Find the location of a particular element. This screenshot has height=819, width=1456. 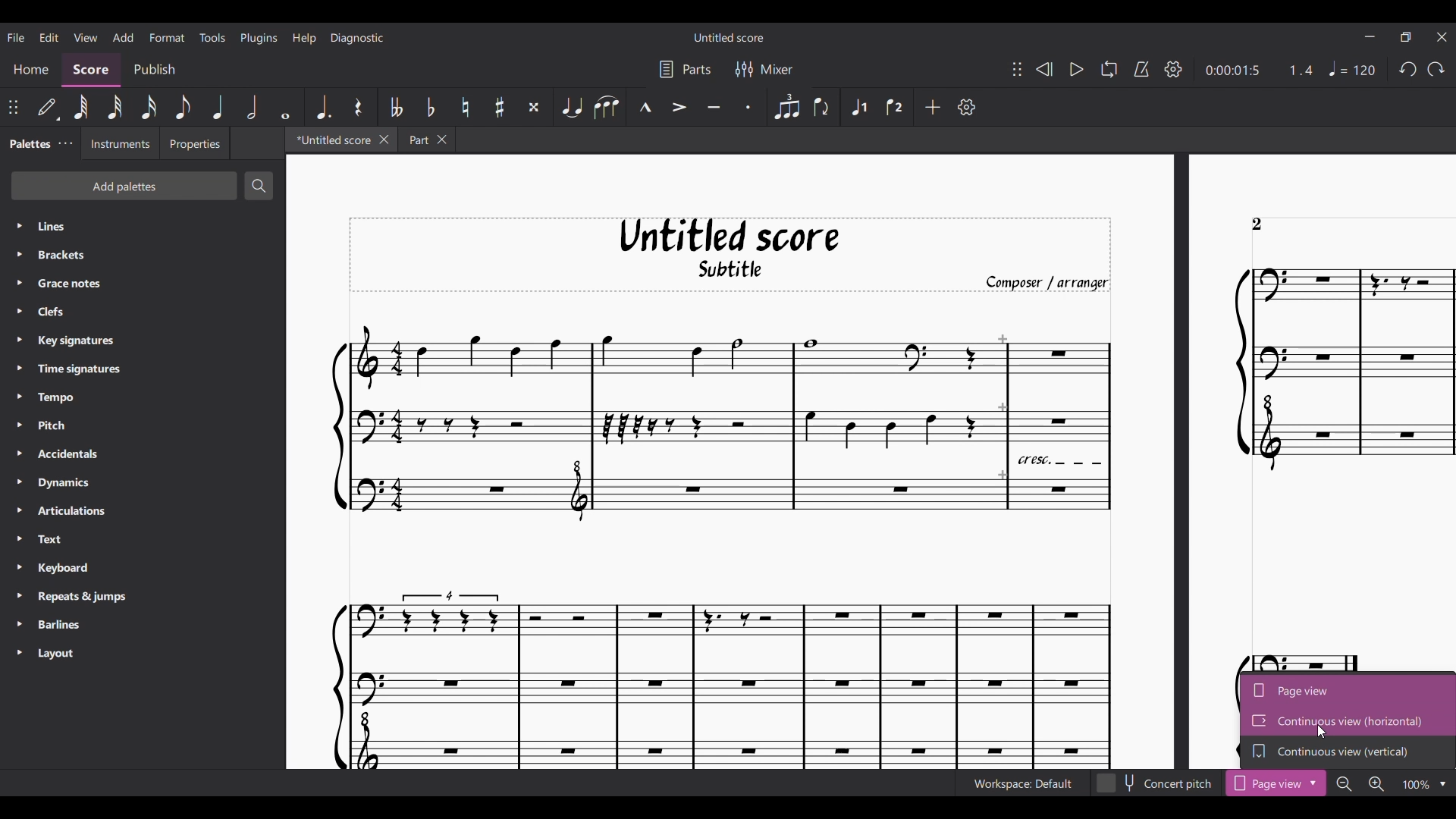

Score title, sub-title, and composer name is located at coordinates (730, 253).